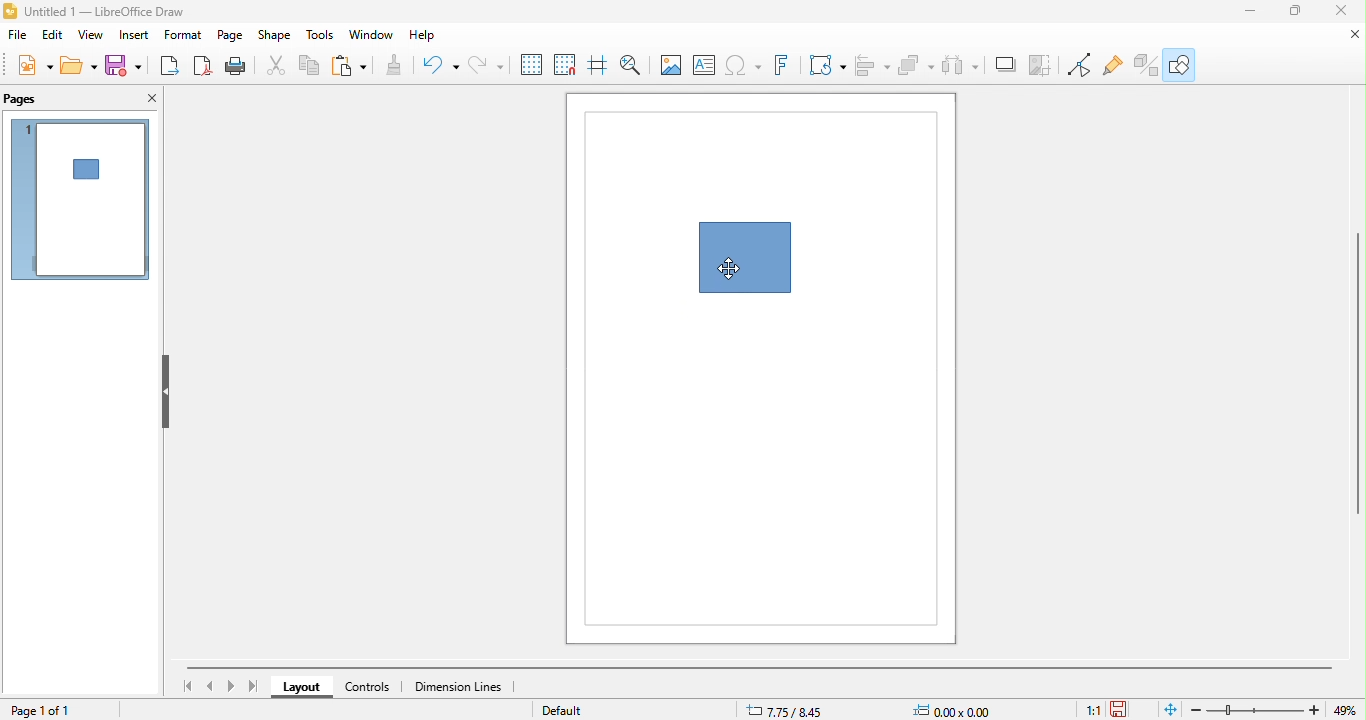 This screenshot has height=720, width=1366. What do you see at coordinates (532, 65) in the screenshot?
I see `display grid` at bounding box center [532, 65].